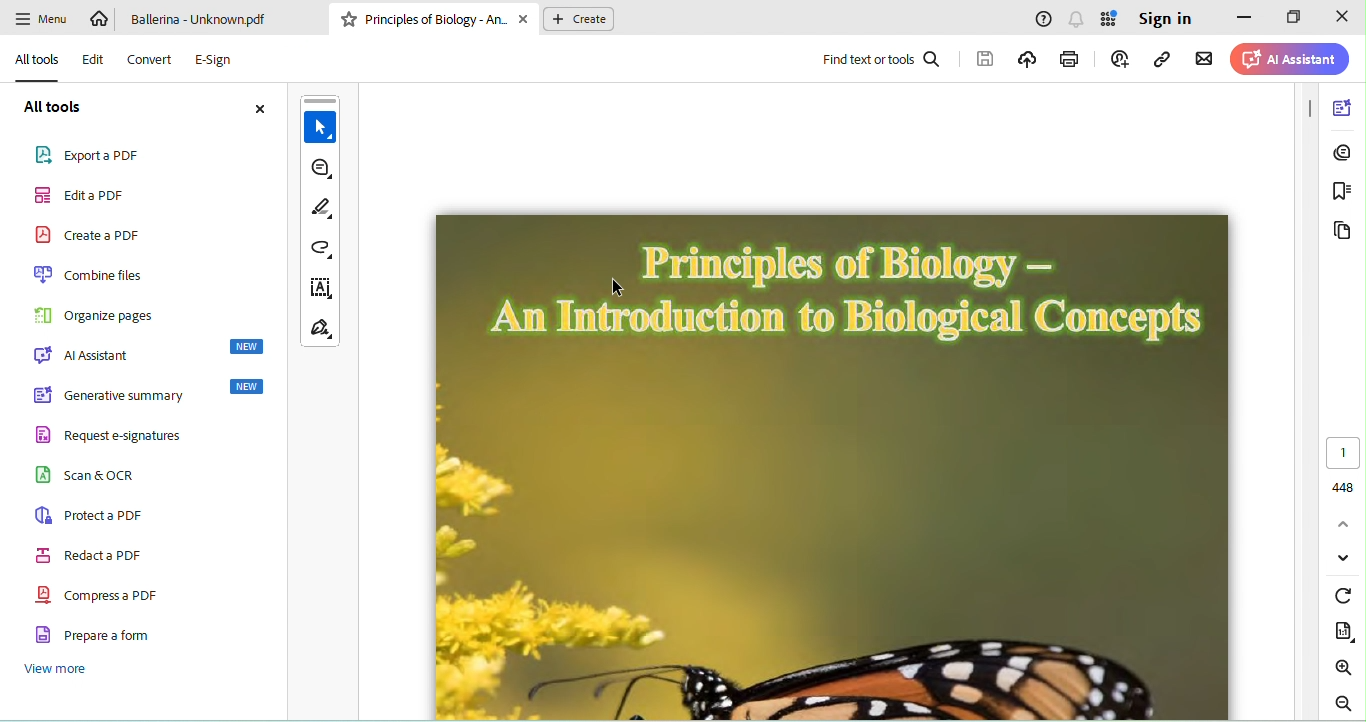 This screenshot has height=722, width=1366. Describe the element at coordinates (1344, 666) in the screenshot. I see `zoom in` at that location.